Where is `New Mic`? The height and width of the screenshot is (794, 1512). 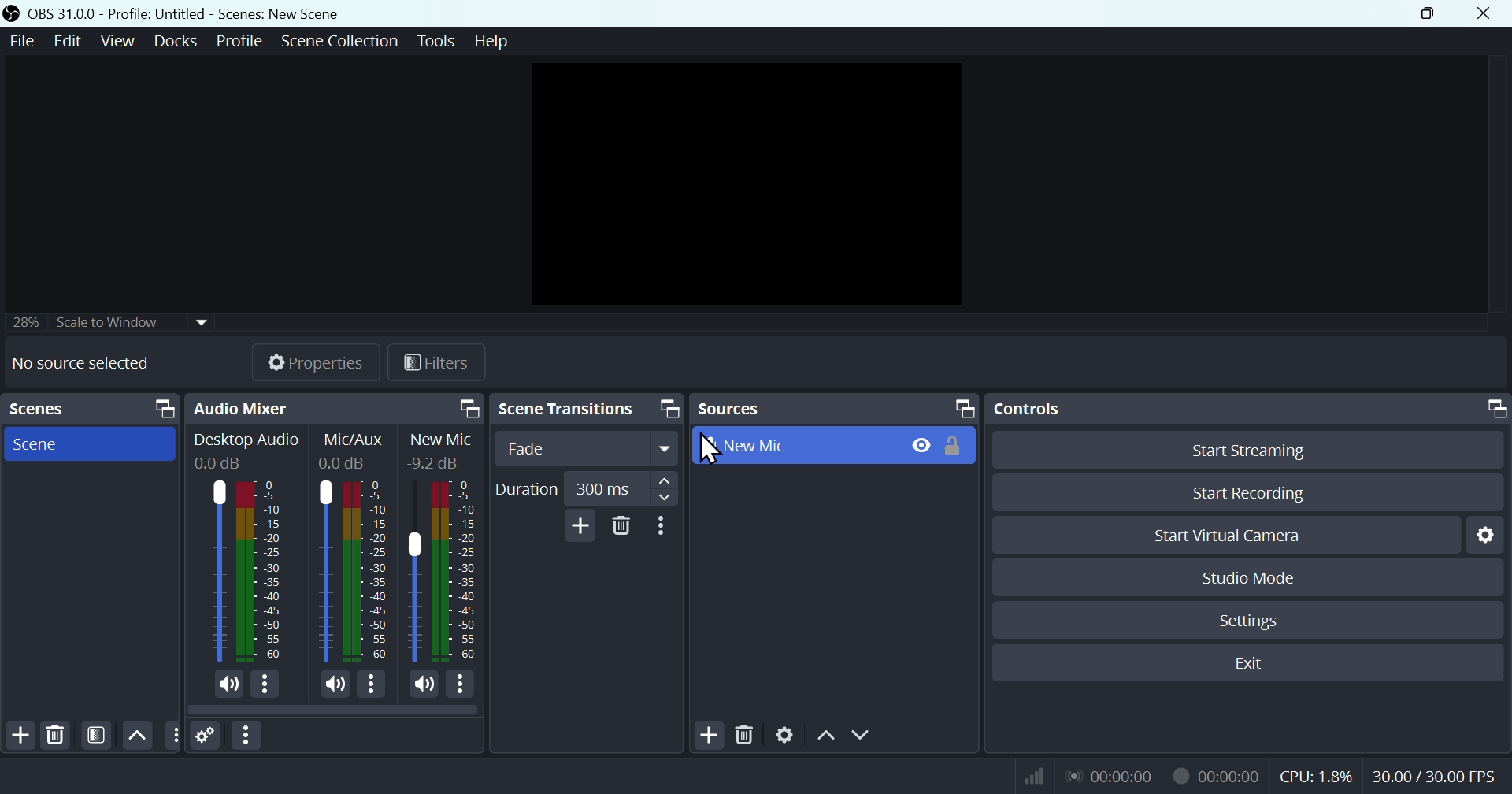 New Mic is located at coordinates (457, 573).